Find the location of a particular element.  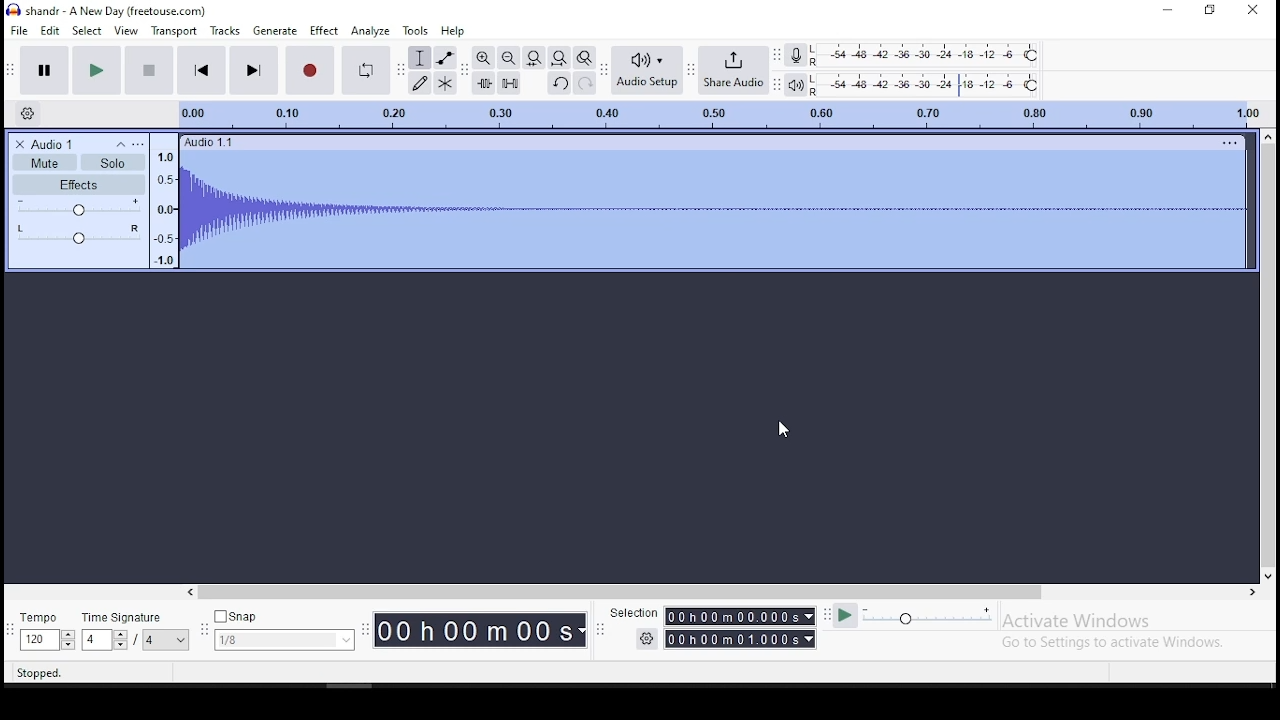

effect is located at coordinates (325, 30).